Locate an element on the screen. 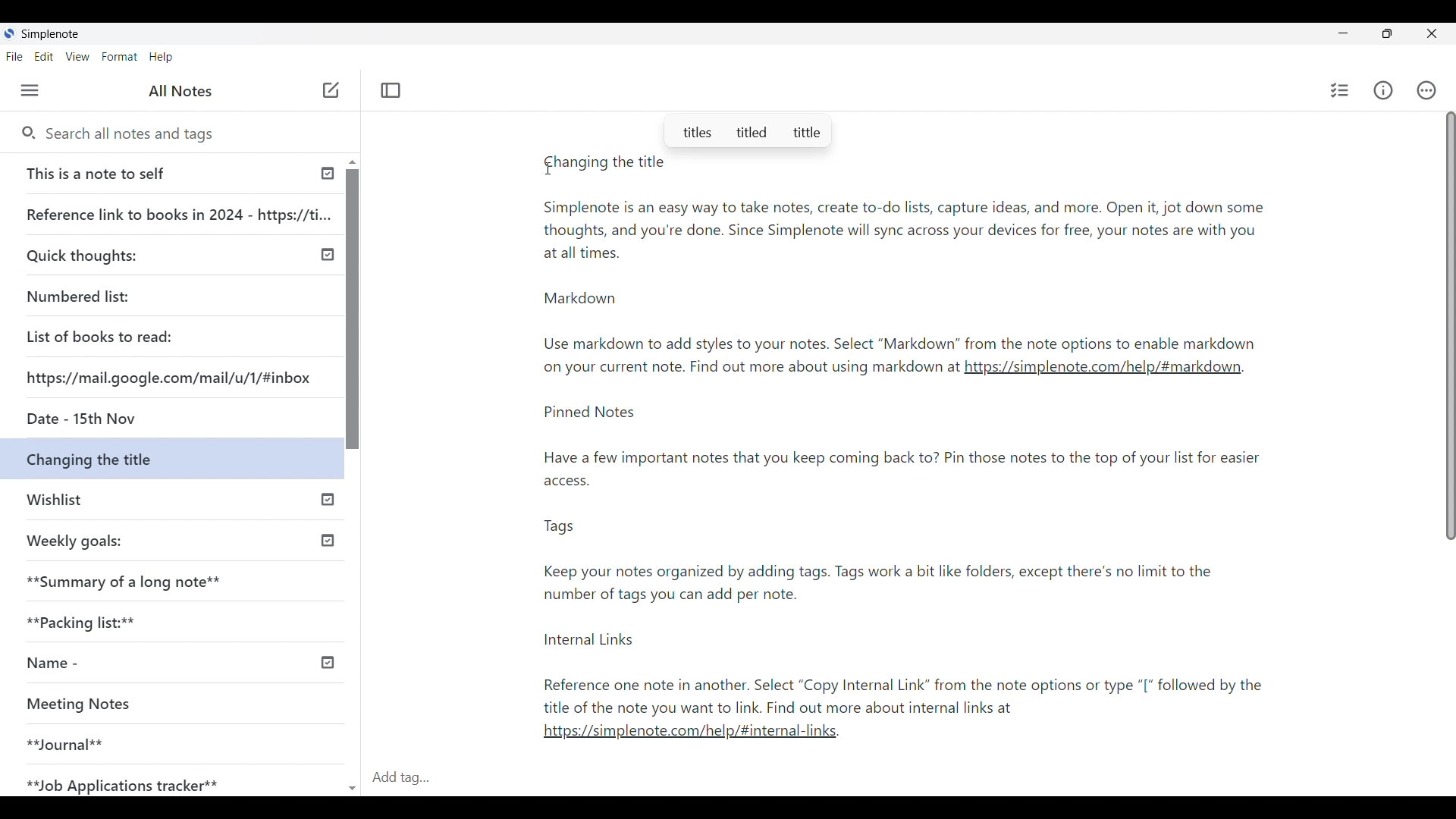 This screenshot has width=1456, height=819. Numbered list is located at coordinates (82, 297).